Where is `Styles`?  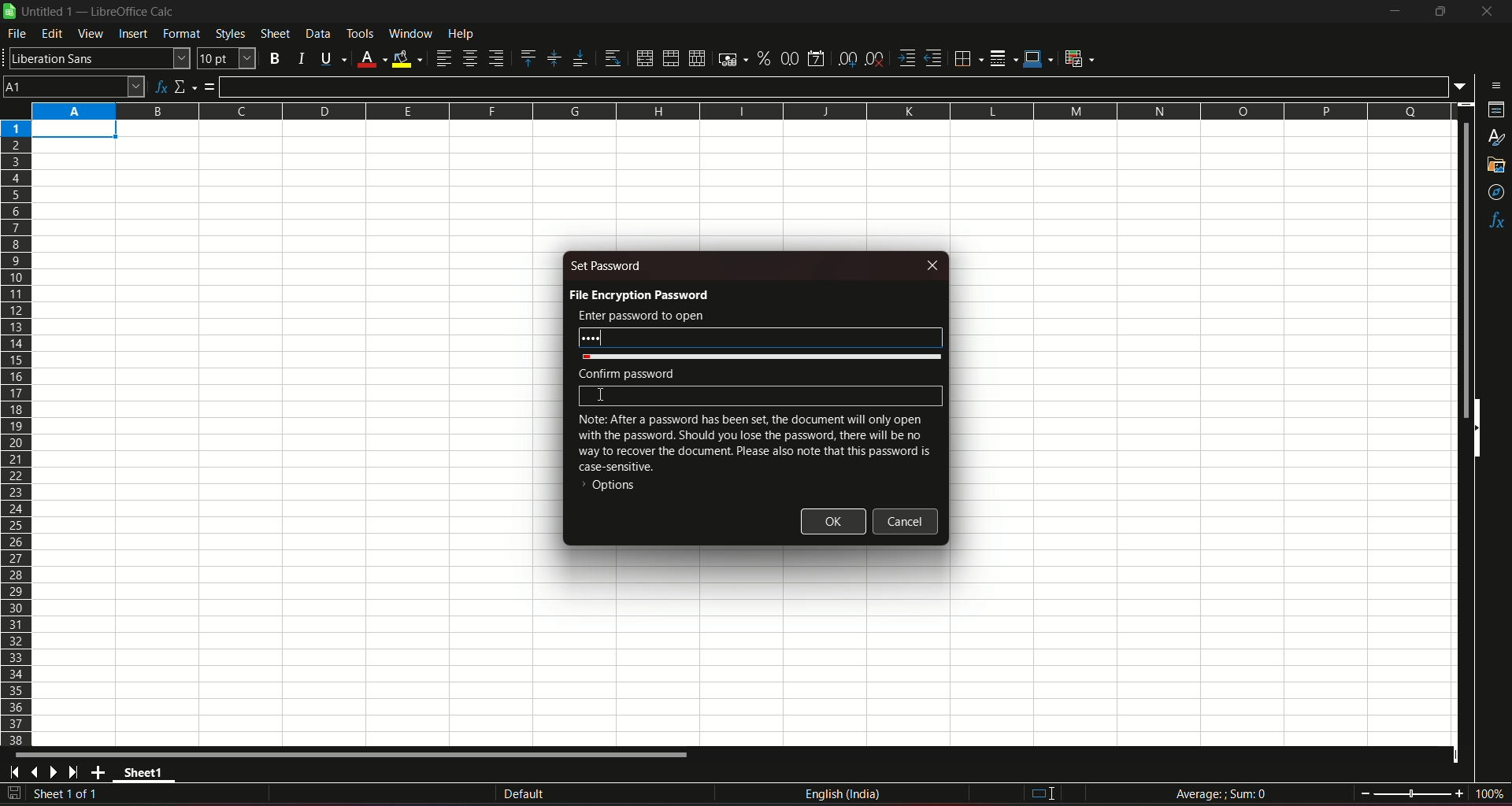
Styles is located at coordinates (228, 34).